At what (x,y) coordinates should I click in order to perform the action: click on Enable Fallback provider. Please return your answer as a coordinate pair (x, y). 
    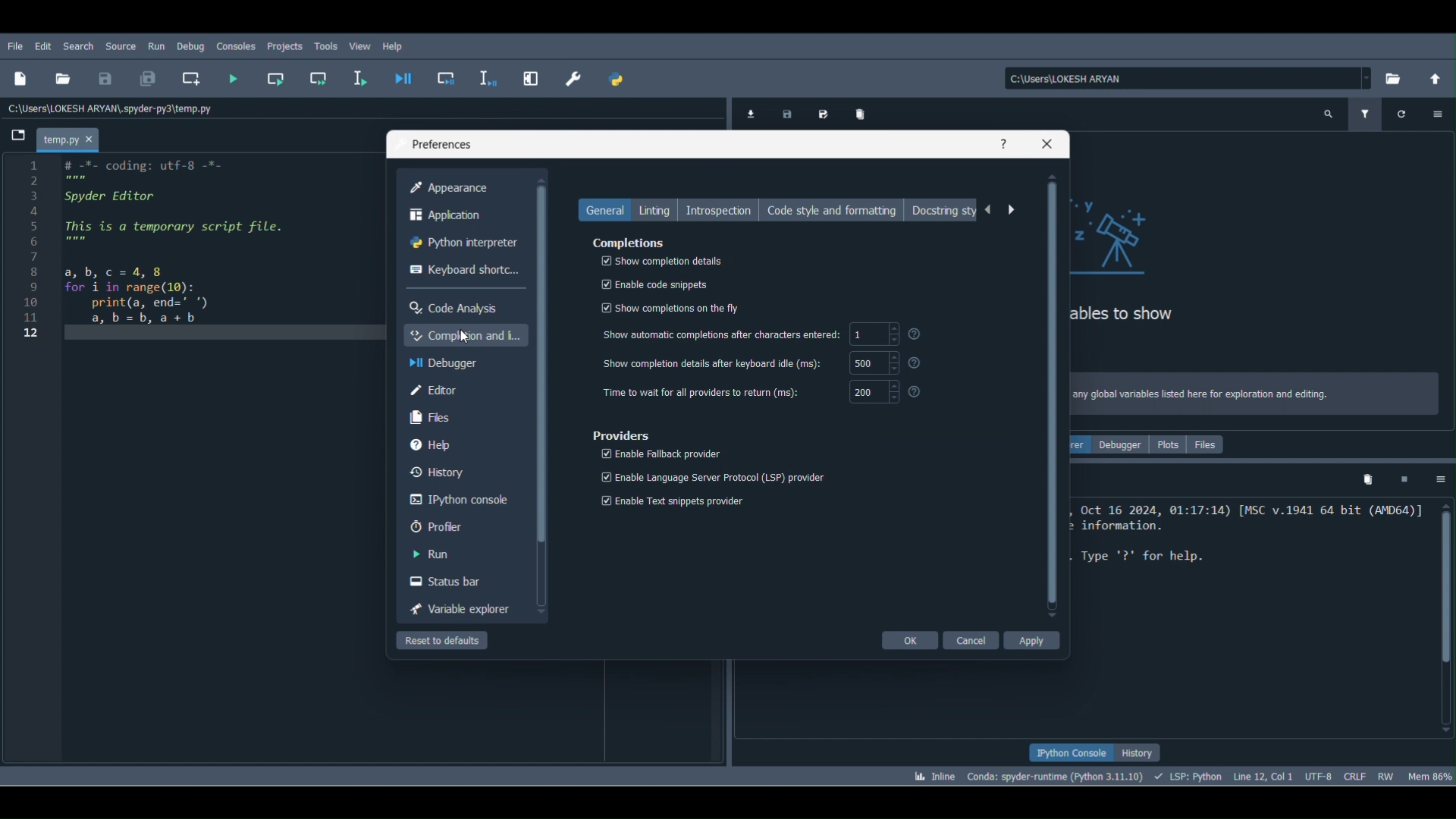
    Looking at the image, I should click on (659, 453).